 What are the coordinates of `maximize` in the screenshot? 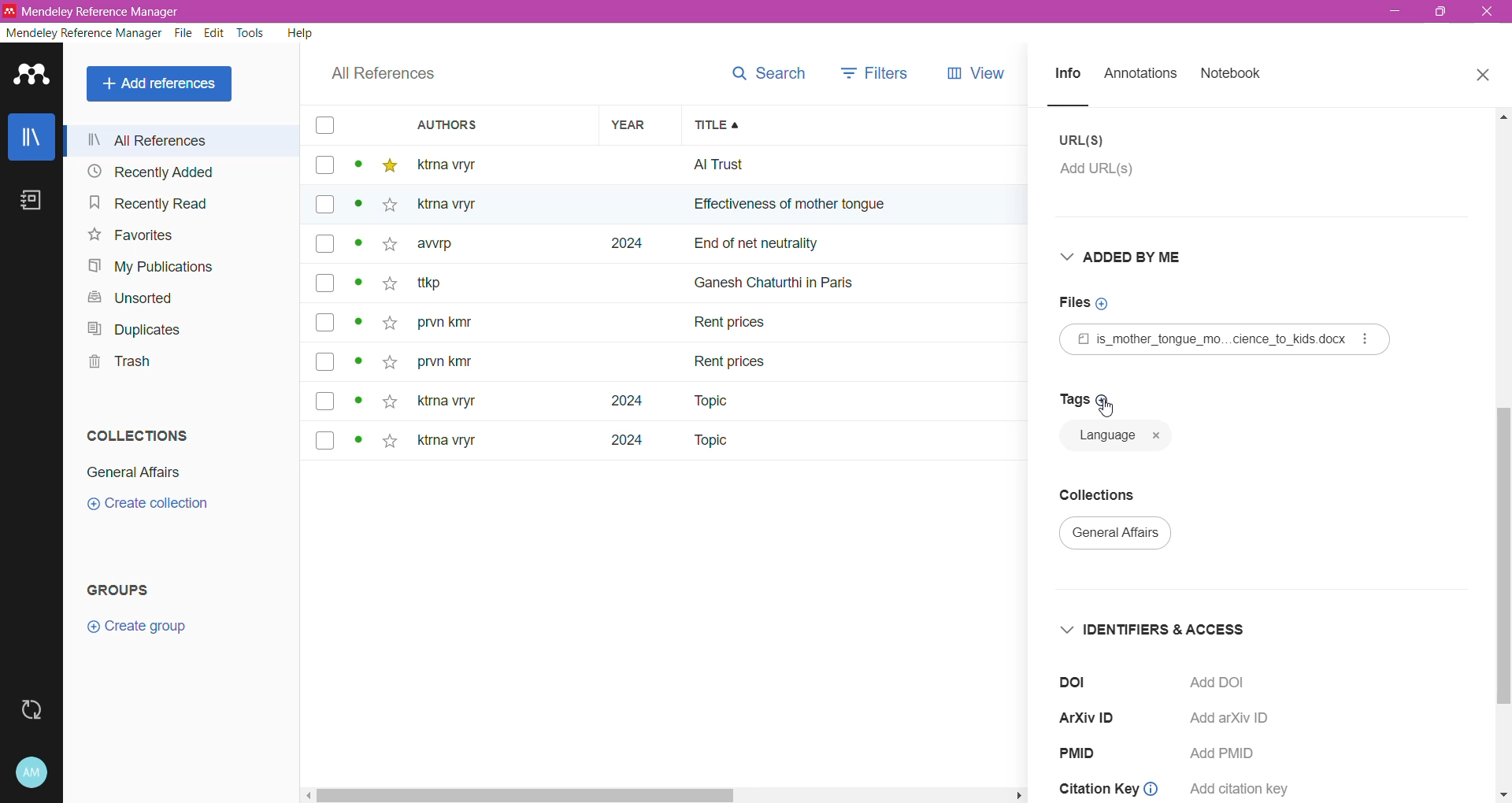 It's located at (1436, 17).